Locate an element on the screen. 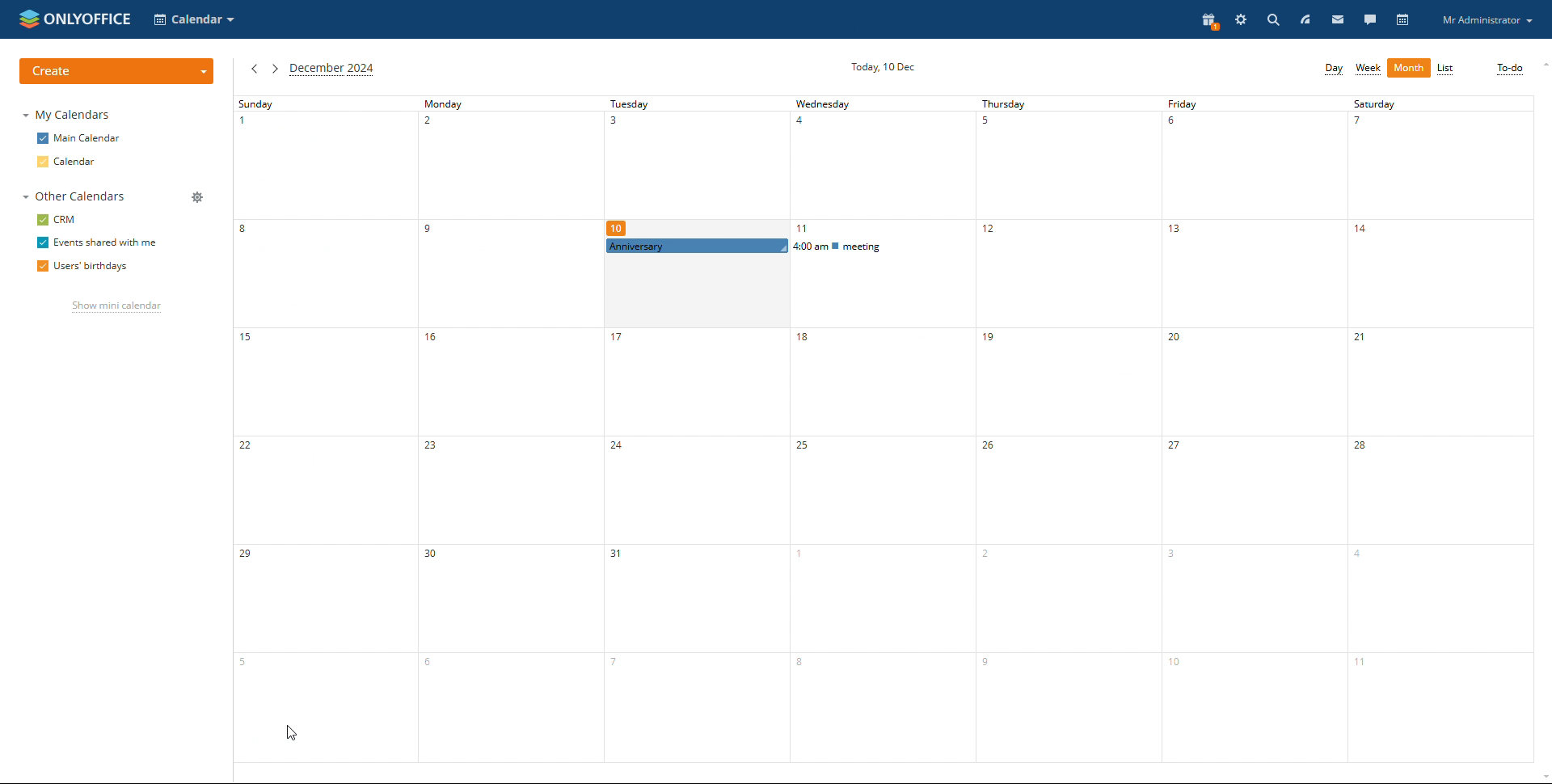 The height and width of the screenshot is (784, 1552). select application is located at coordinates (196, 19).